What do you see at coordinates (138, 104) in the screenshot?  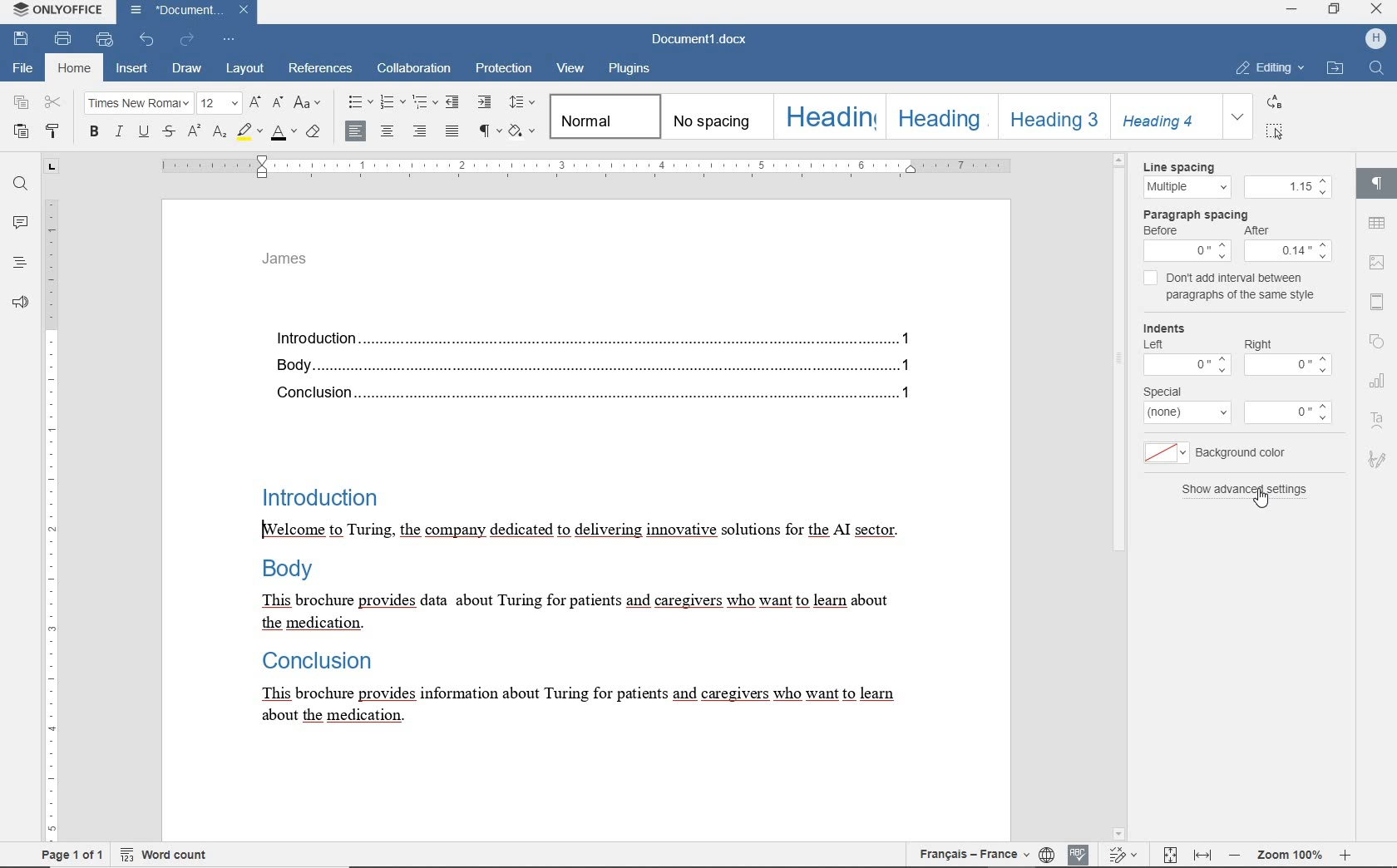 I see `font` at bounding box center [138, 104].